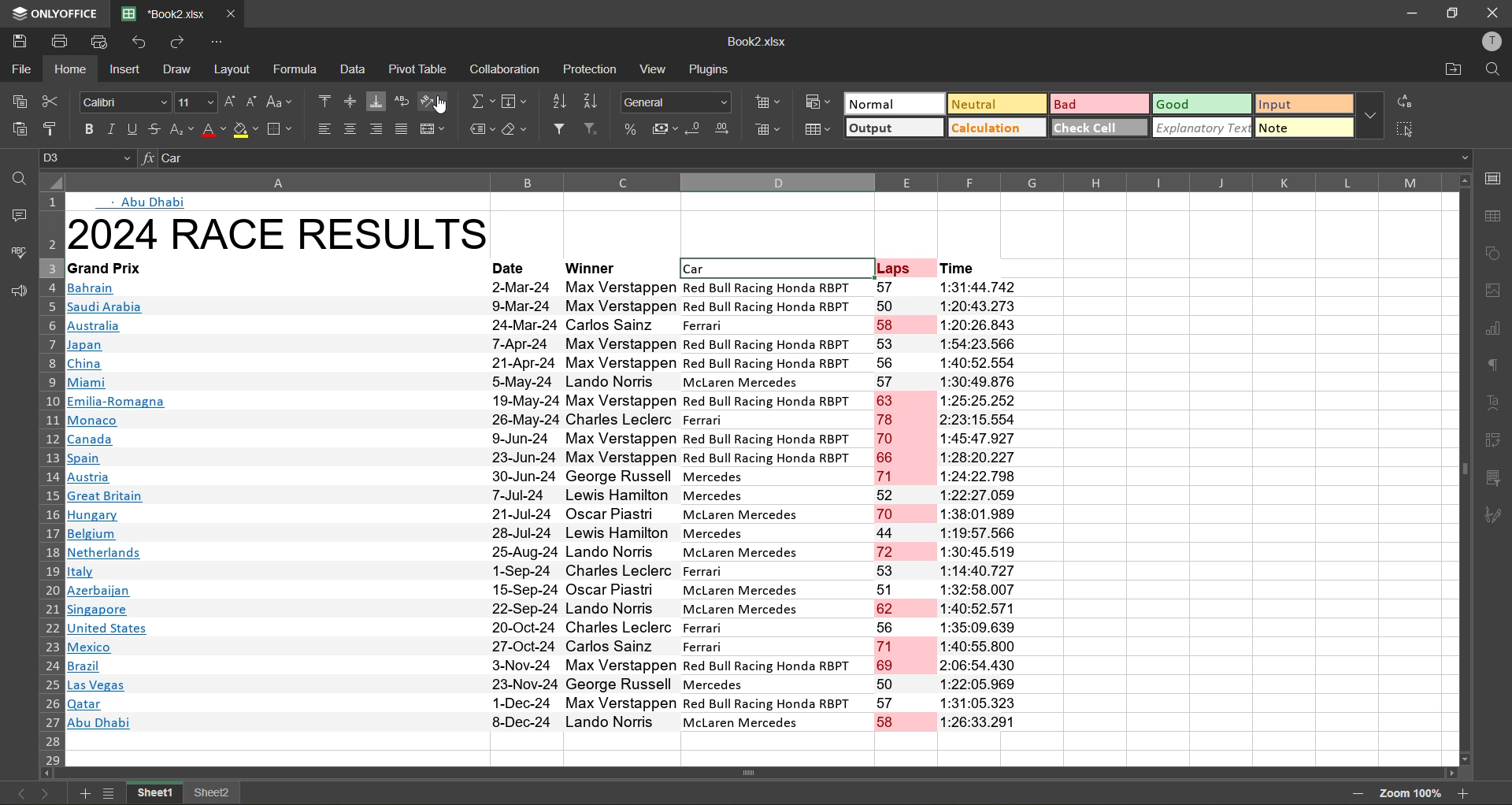 The height and width of the screenshot is (805, 1512). I want to click on images, so click(1493, 293).